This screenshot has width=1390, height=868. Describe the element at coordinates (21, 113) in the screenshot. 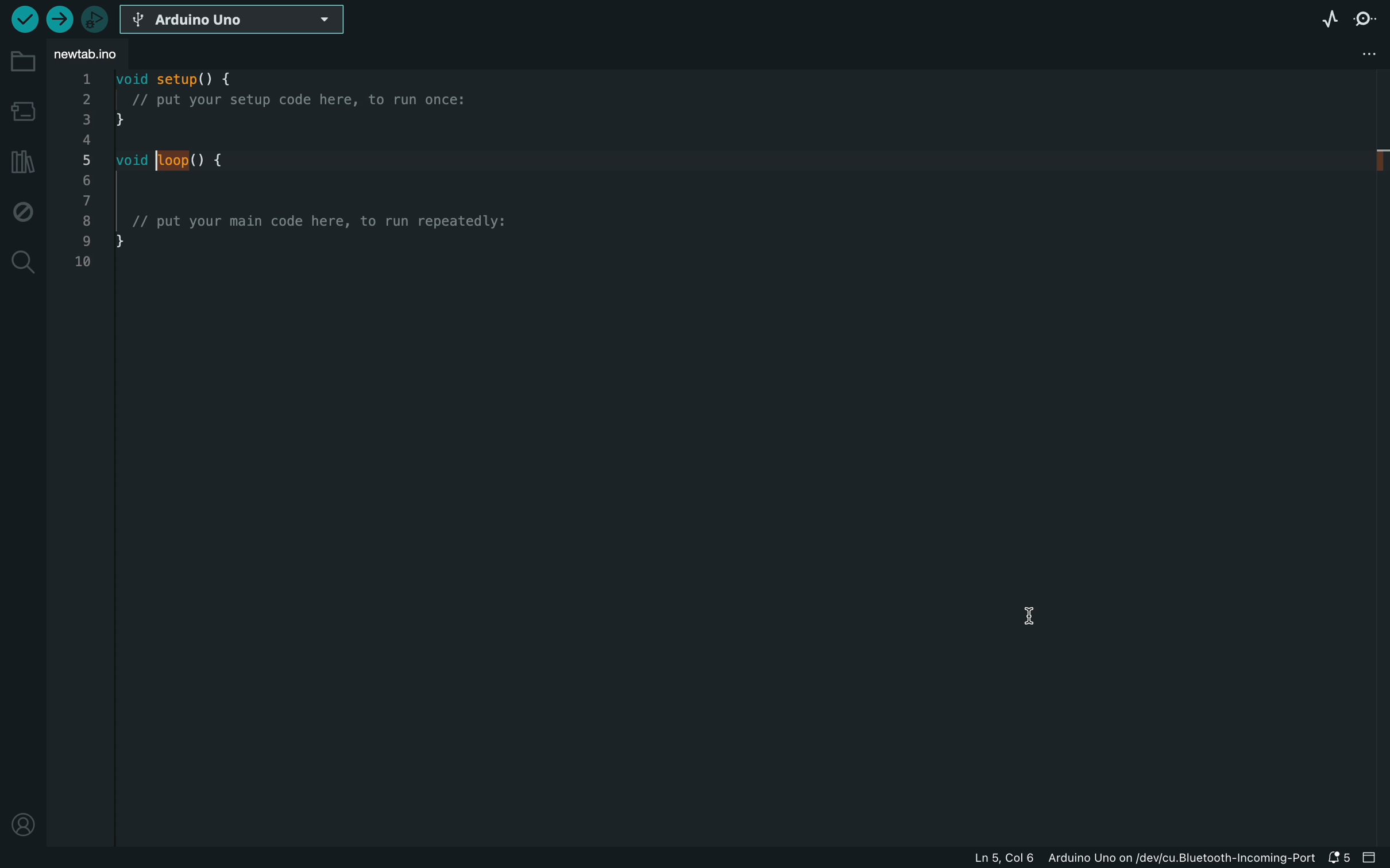

I see `board selecter` at that location.